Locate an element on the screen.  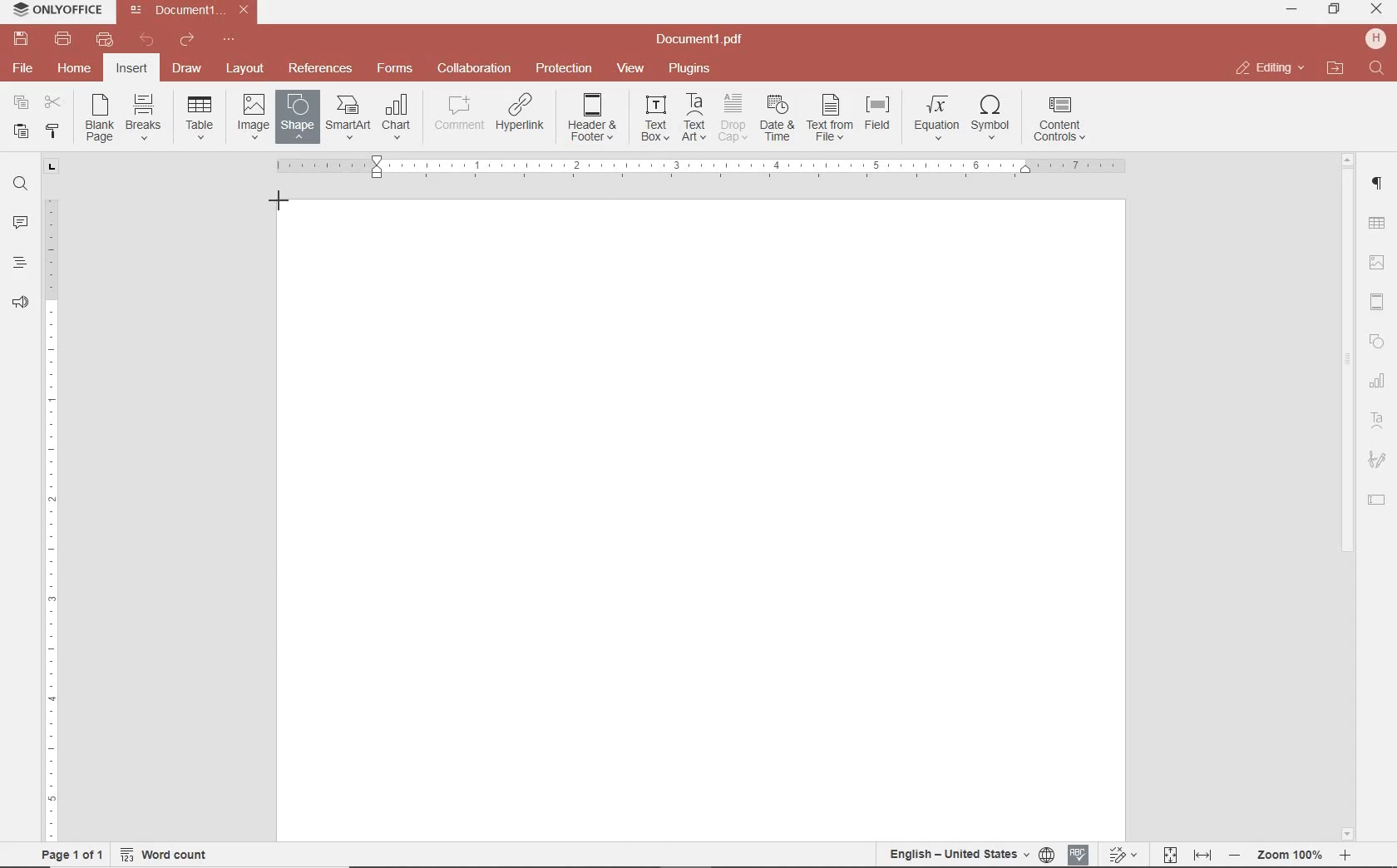
SIGNATURE is located at coordinates (1377, 461).